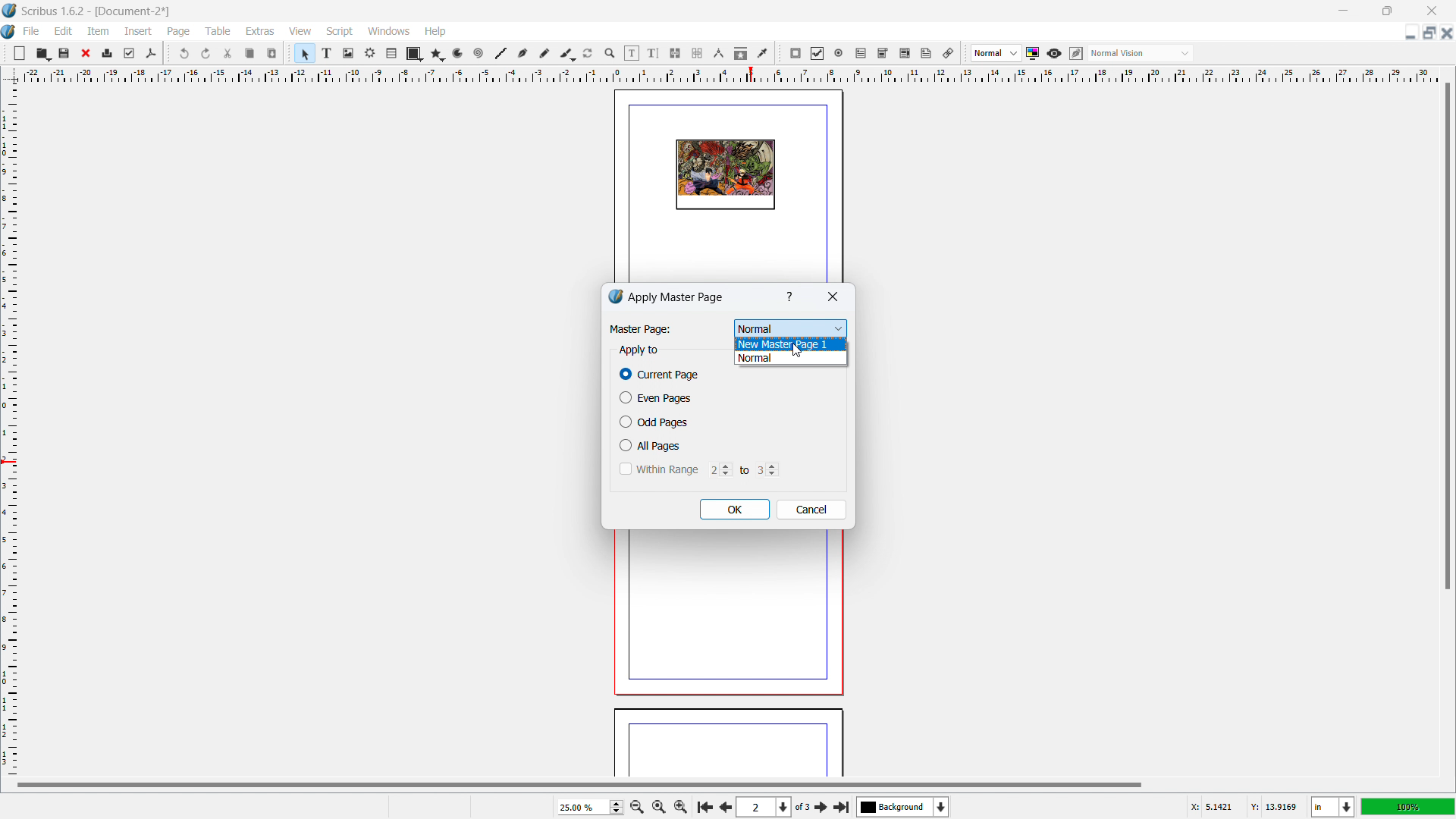  Describe the element at coordinates (767, 469) in the screenshot. I see `range ending at page number` at that location.